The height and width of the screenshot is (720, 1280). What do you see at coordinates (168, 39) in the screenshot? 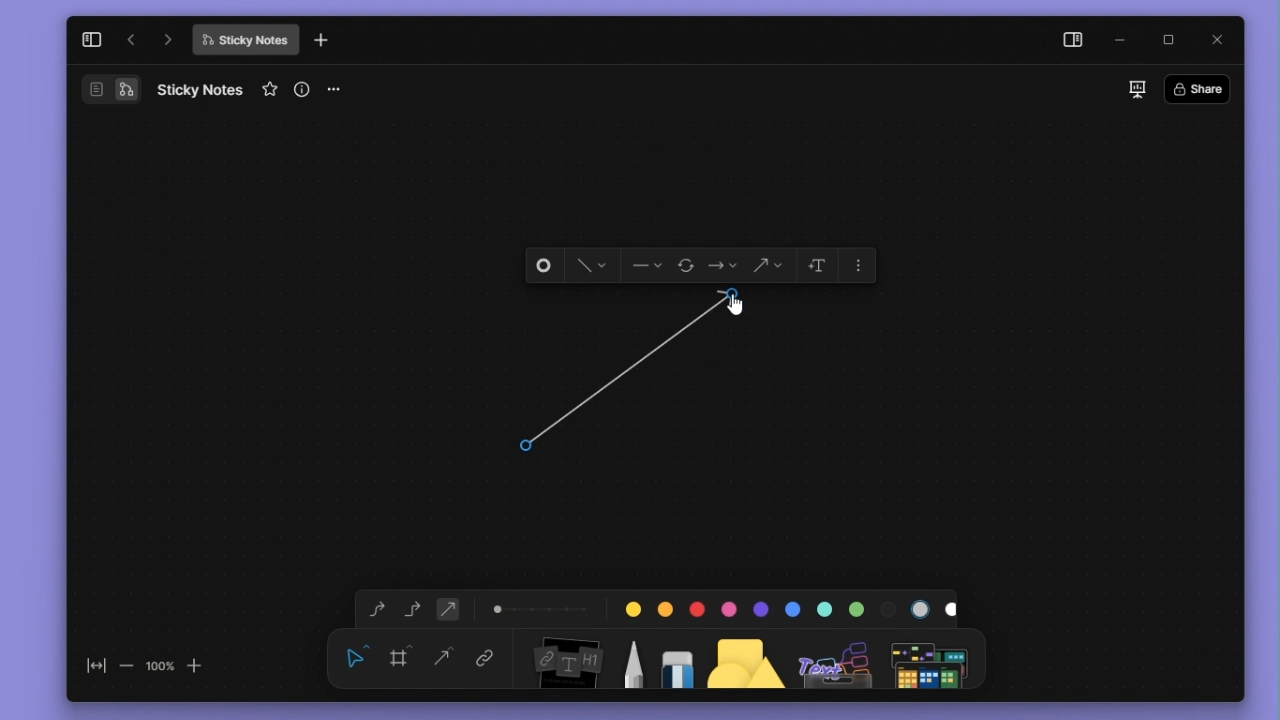
I see `go forward` at bounding box center [168, 39].